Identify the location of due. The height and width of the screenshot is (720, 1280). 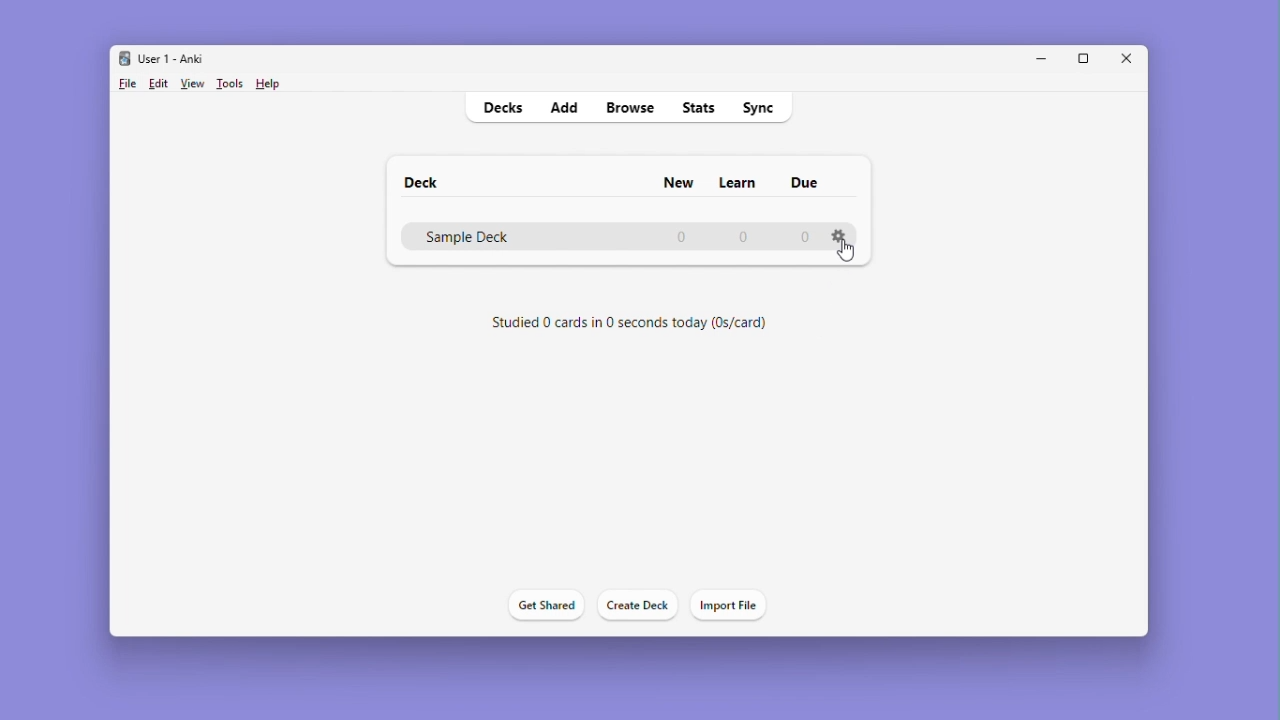
(806, 182).